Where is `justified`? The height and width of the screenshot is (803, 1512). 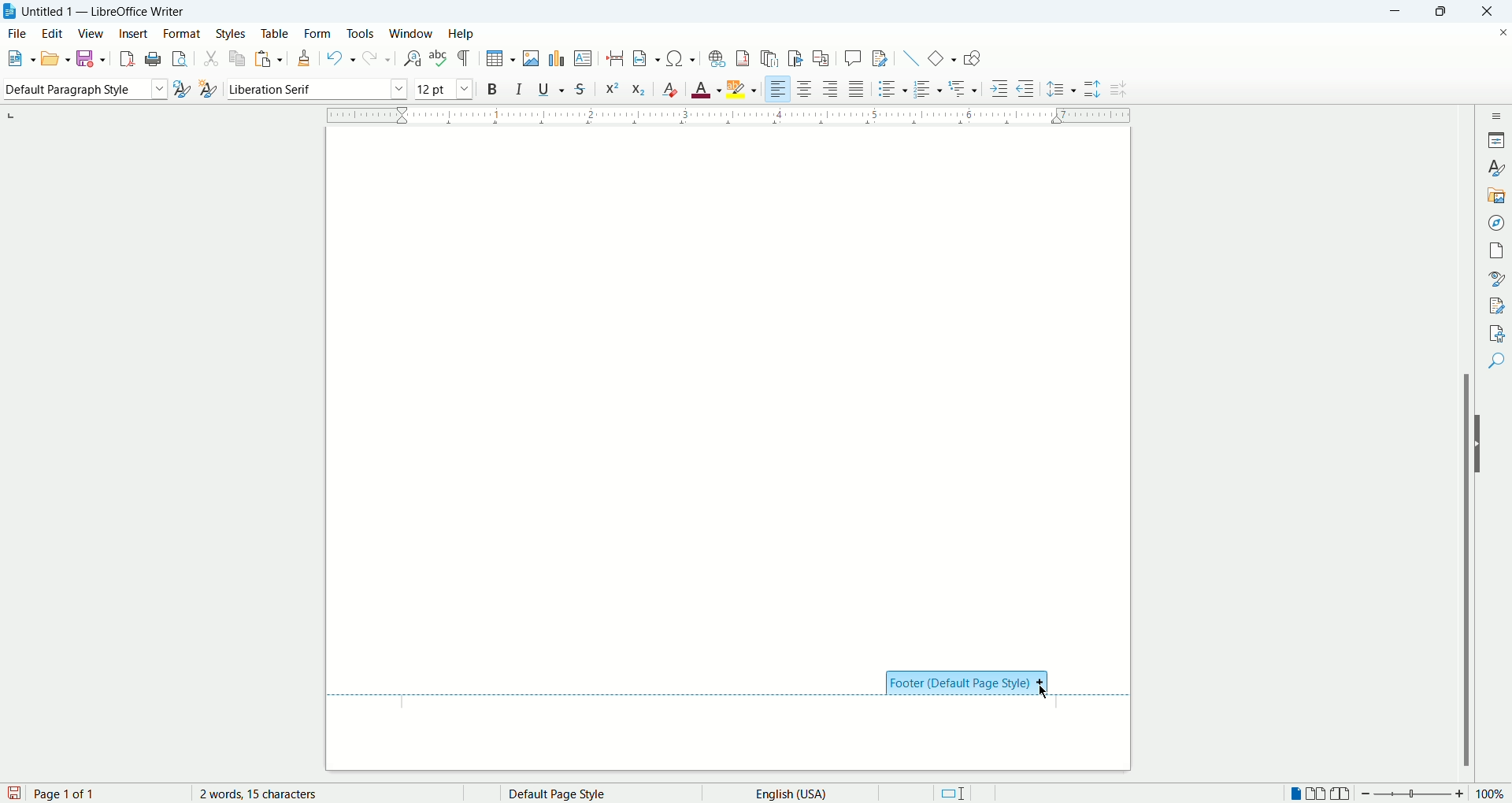 justified is located at coordinates (858, 89).